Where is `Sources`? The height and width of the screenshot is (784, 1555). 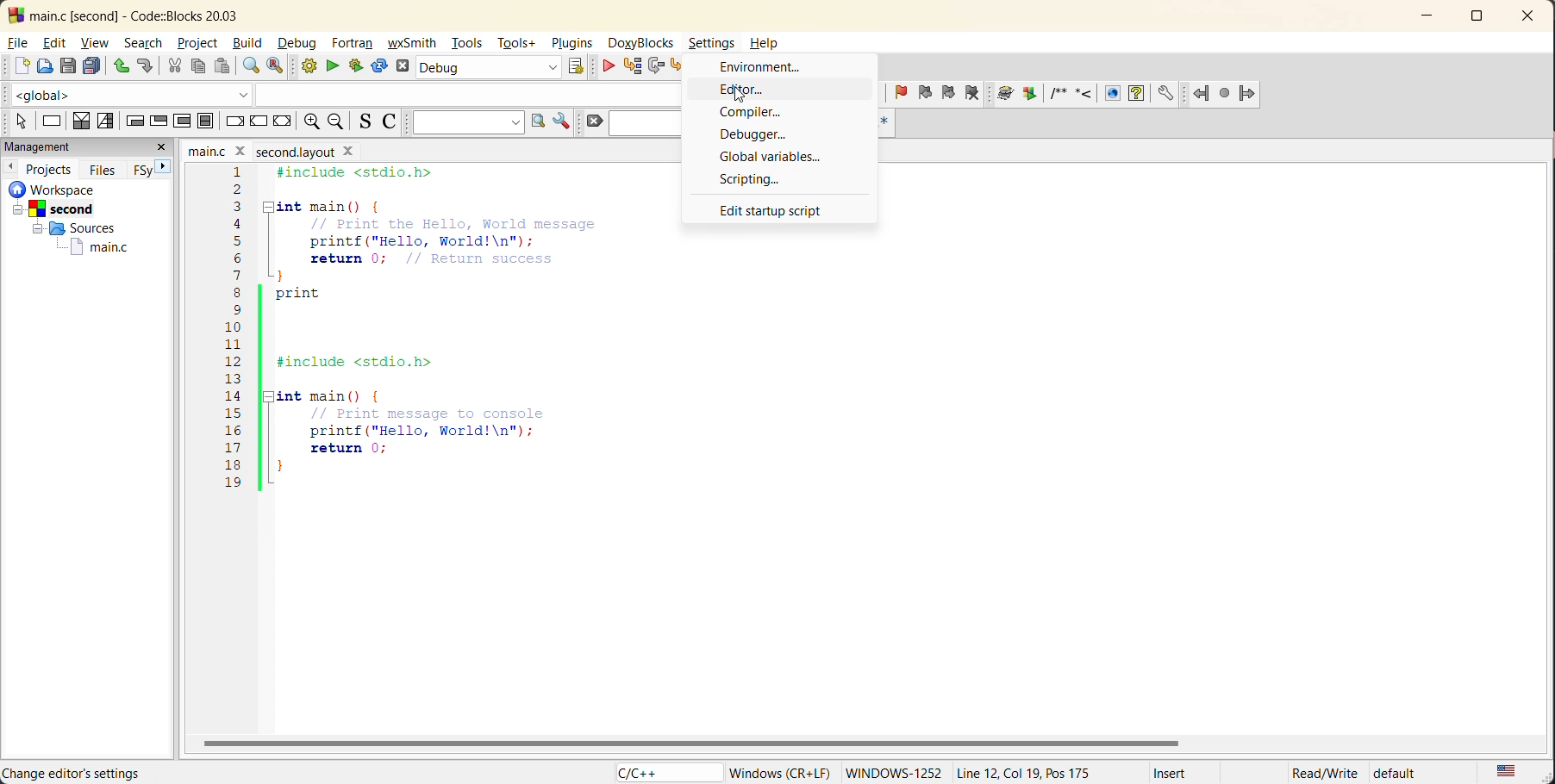 Sources is located at coordinates (75, 228).